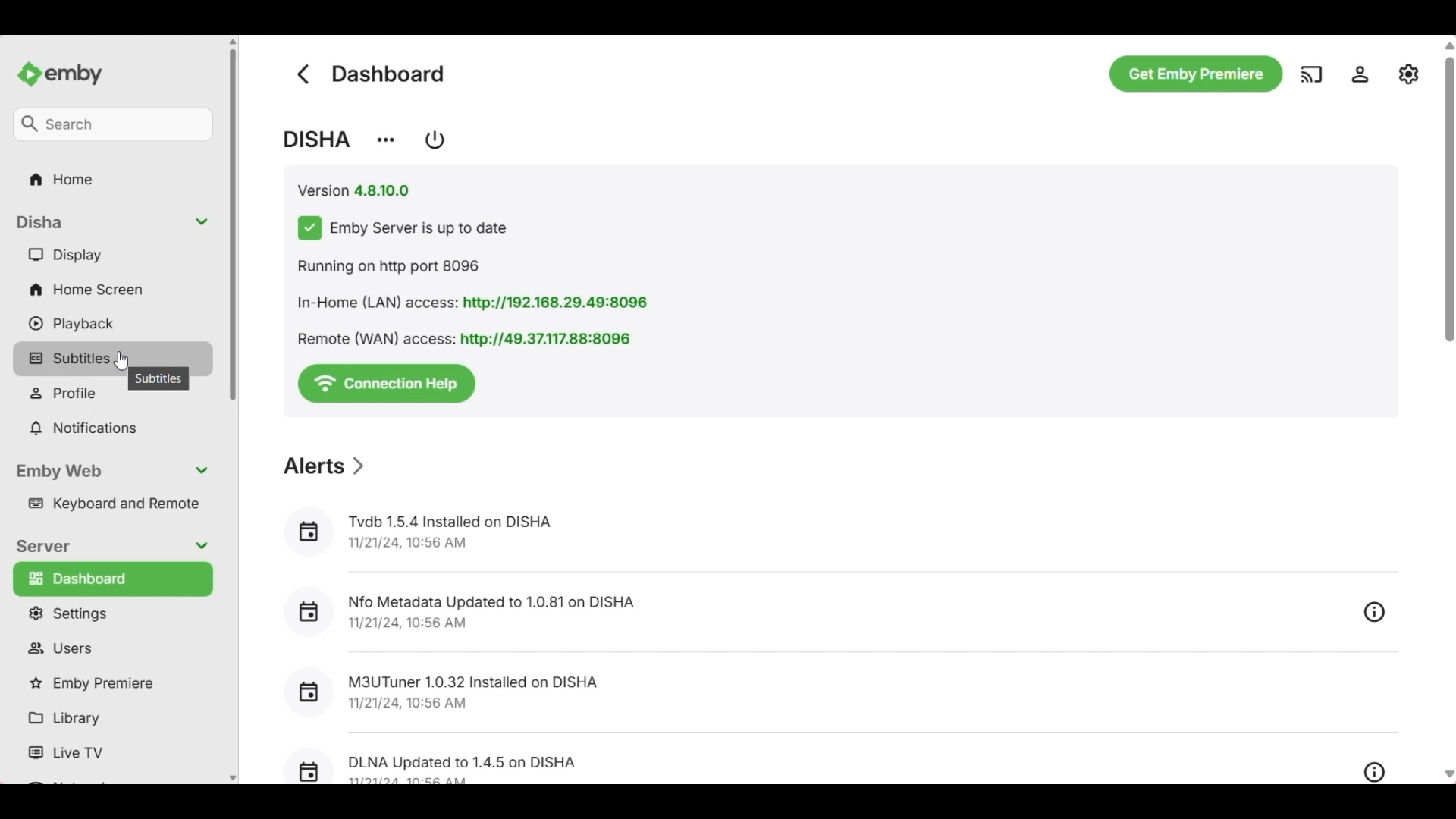  What do you see at coordinates (115, 649) in the screenshot?
I see `Users` at bounding box center [115, 649].